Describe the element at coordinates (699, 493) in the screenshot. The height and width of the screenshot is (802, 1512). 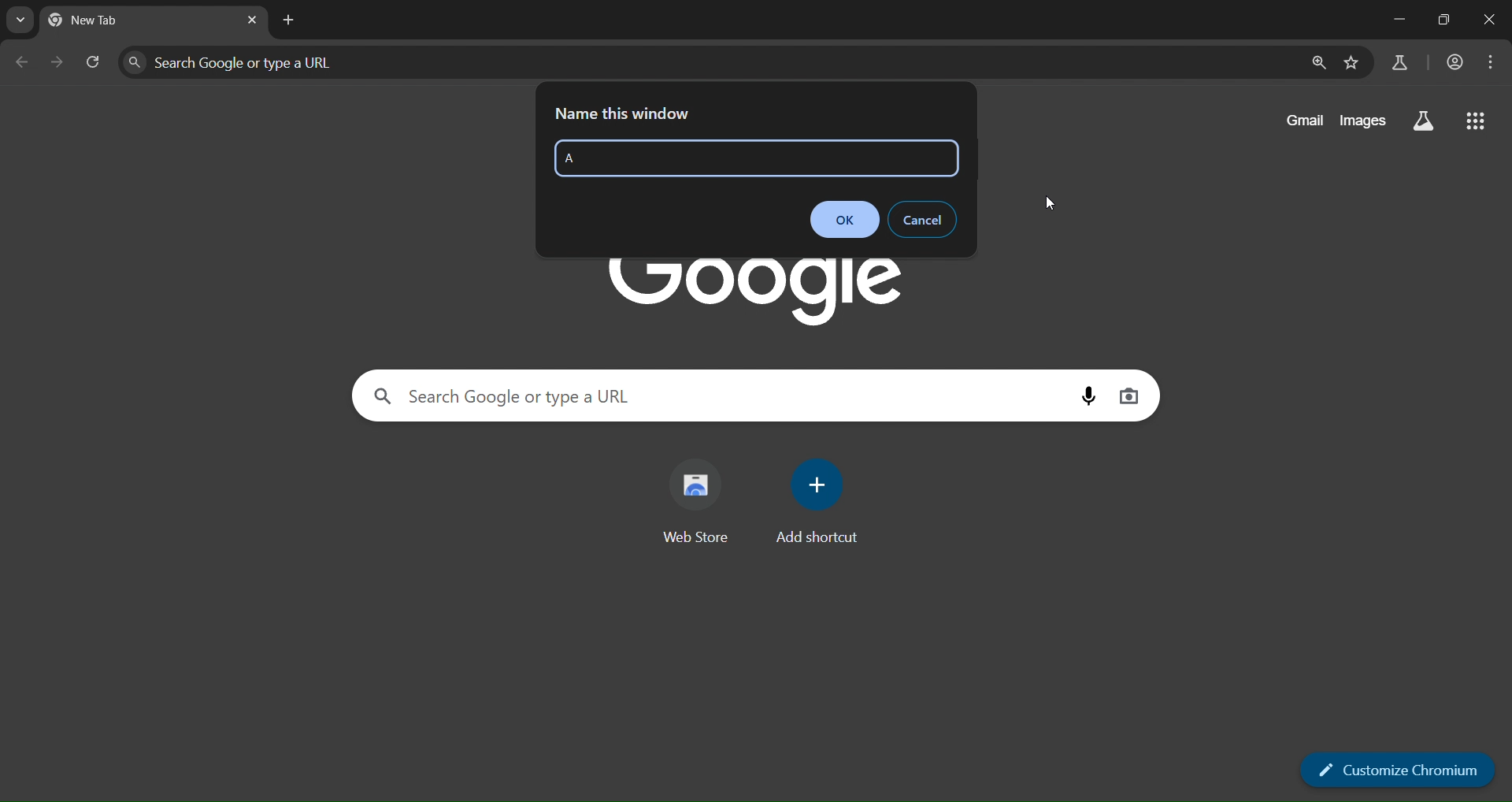
I see `web store` at that location.